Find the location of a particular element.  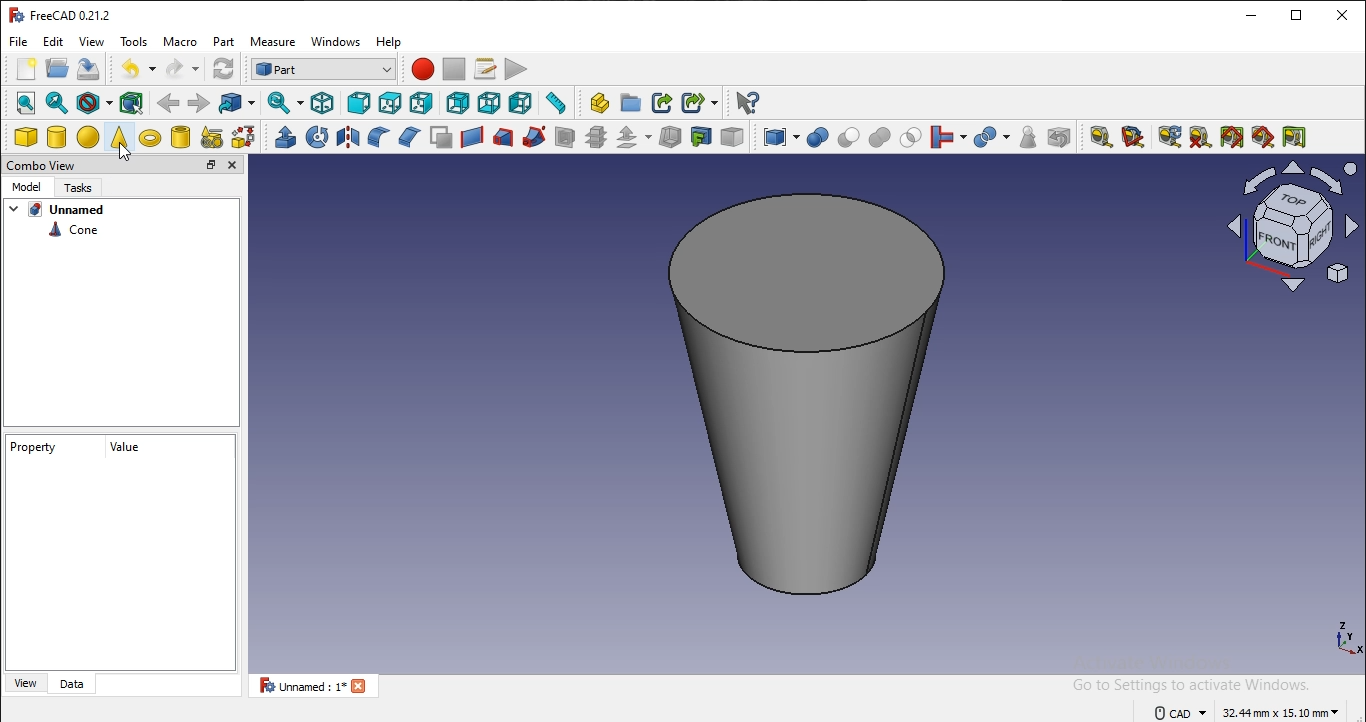

save is located at coordinates (89, 70).